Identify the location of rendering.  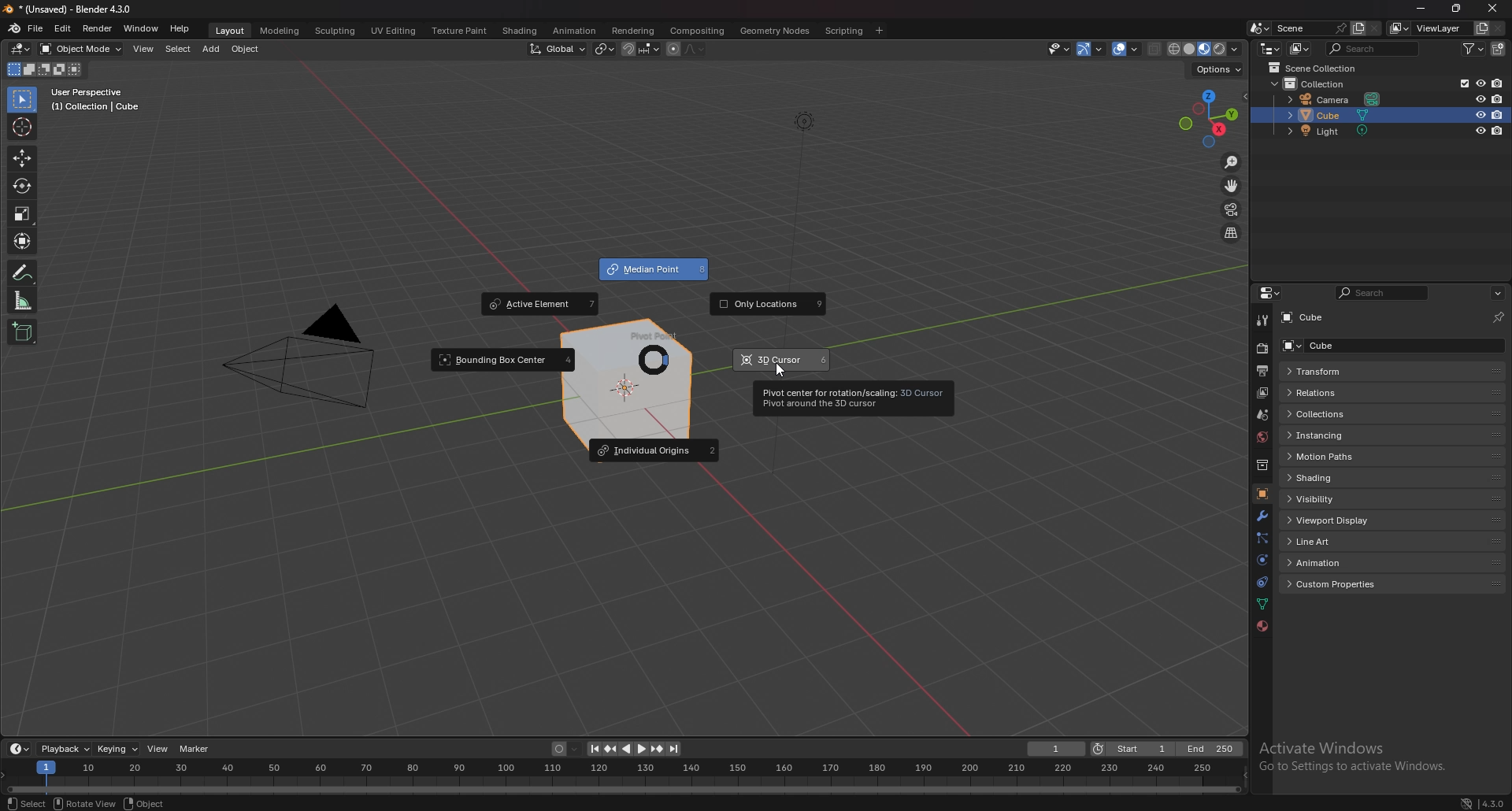
(632, 31).